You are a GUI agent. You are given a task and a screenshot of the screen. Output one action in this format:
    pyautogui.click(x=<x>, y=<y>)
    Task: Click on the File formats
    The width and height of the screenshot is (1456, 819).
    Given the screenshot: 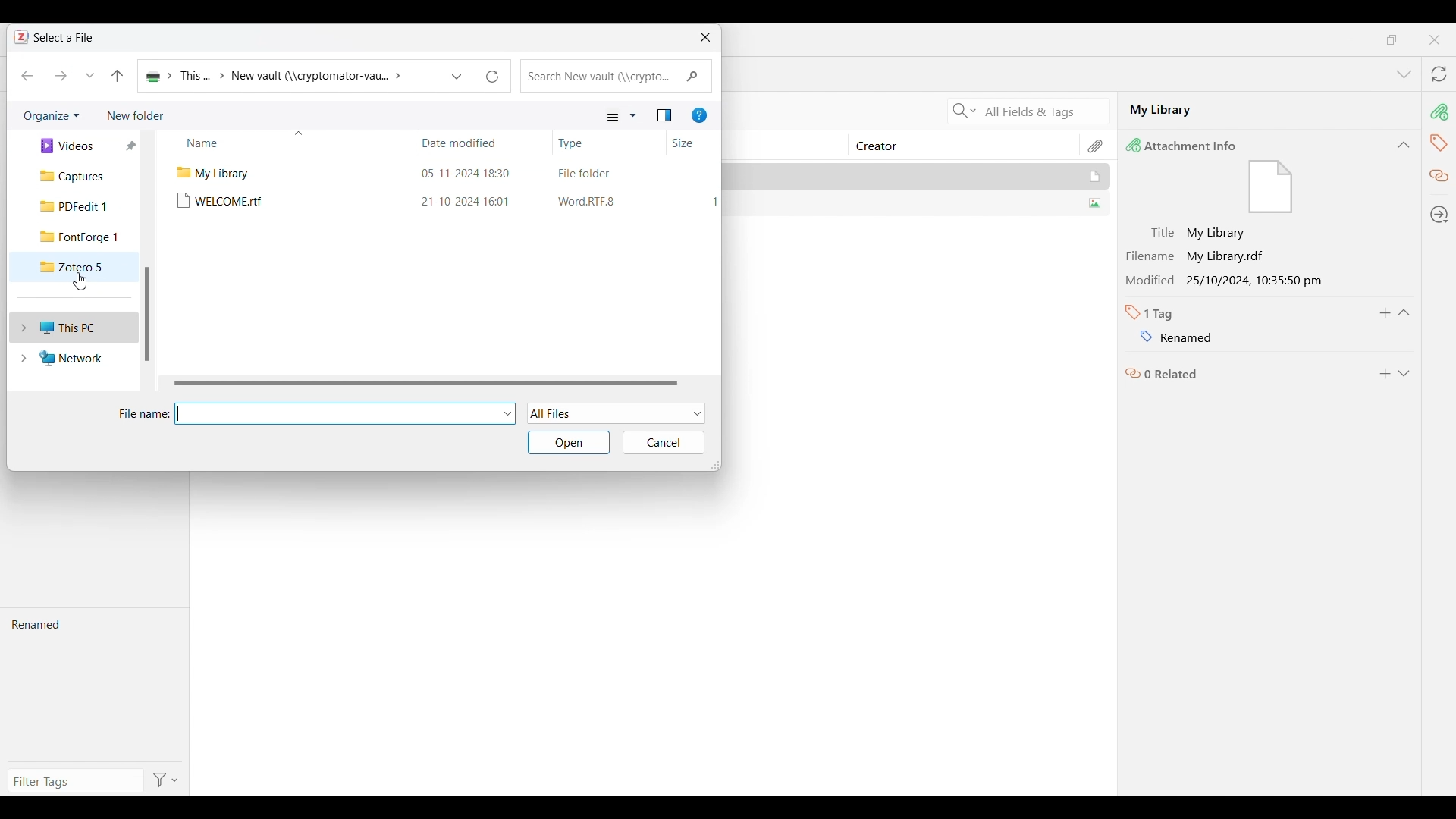 What is the action you would take?
    pyautogui.click(x=616, y=413)
    